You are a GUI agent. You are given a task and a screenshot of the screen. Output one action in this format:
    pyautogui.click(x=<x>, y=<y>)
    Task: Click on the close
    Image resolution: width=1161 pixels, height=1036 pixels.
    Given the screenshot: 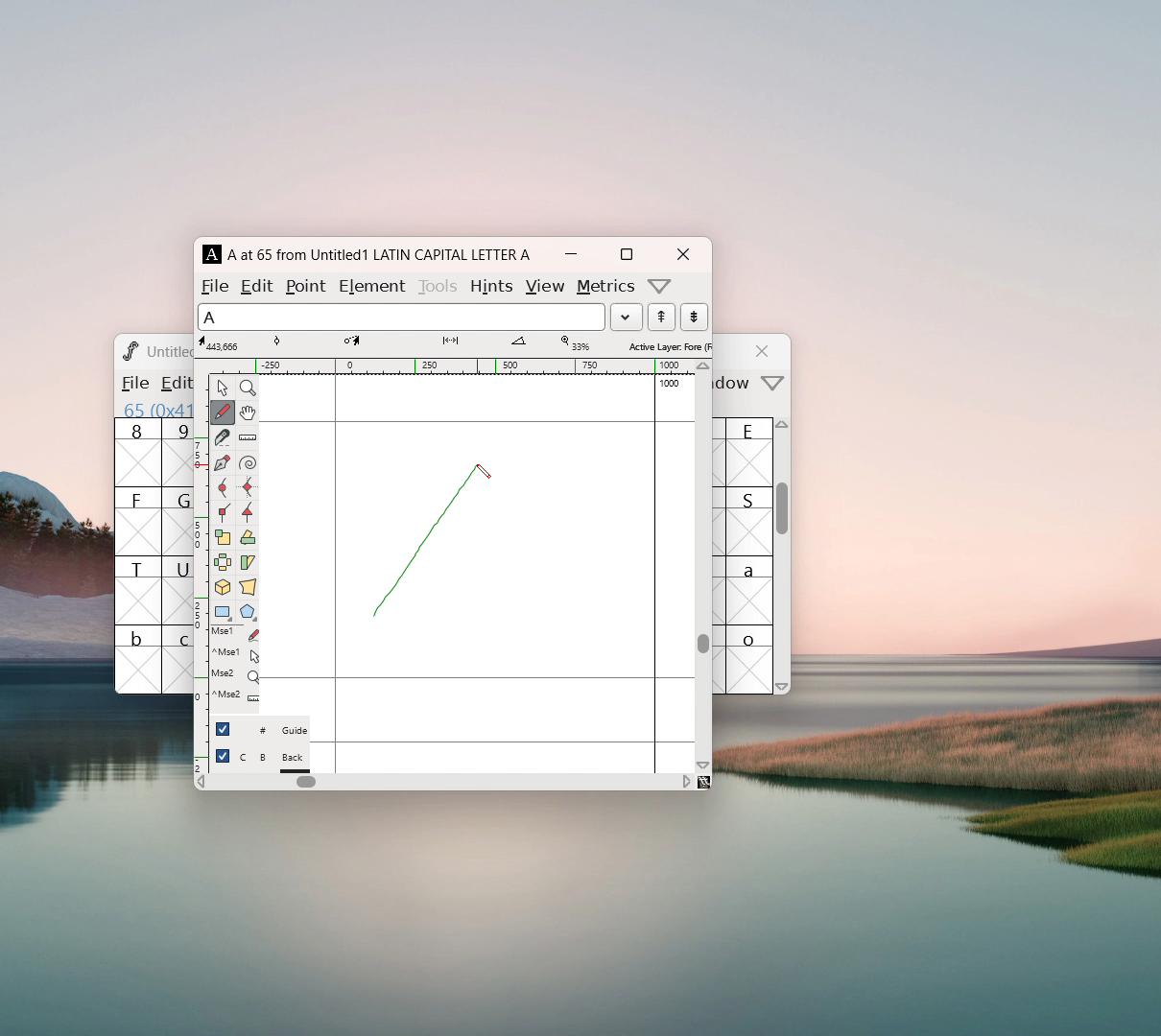 What is the action you would take?
    pyautogui.click(x=765, y=351)
    